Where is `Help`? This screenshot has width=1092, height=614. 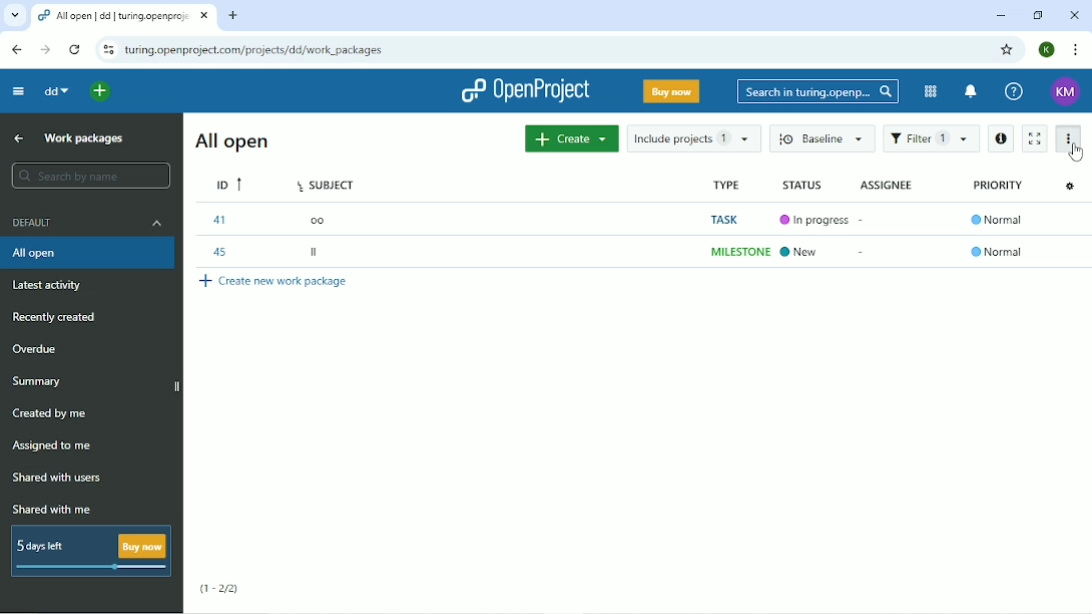 Help is located at coordinates (1013, 92).